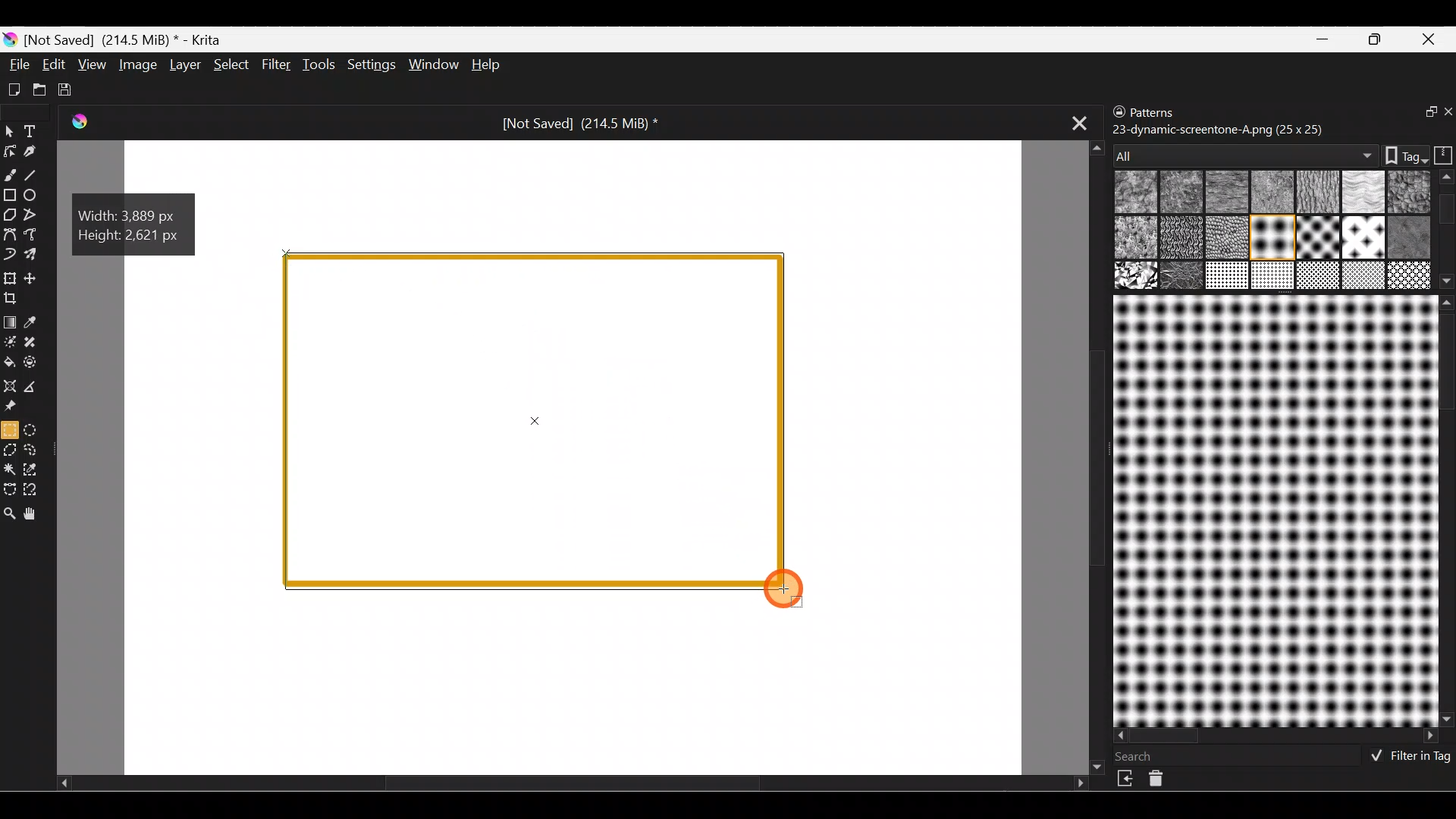  Describe the element at coordinates (10, 255) in the screenshot. I see `Dynamic brush tool` at that location.